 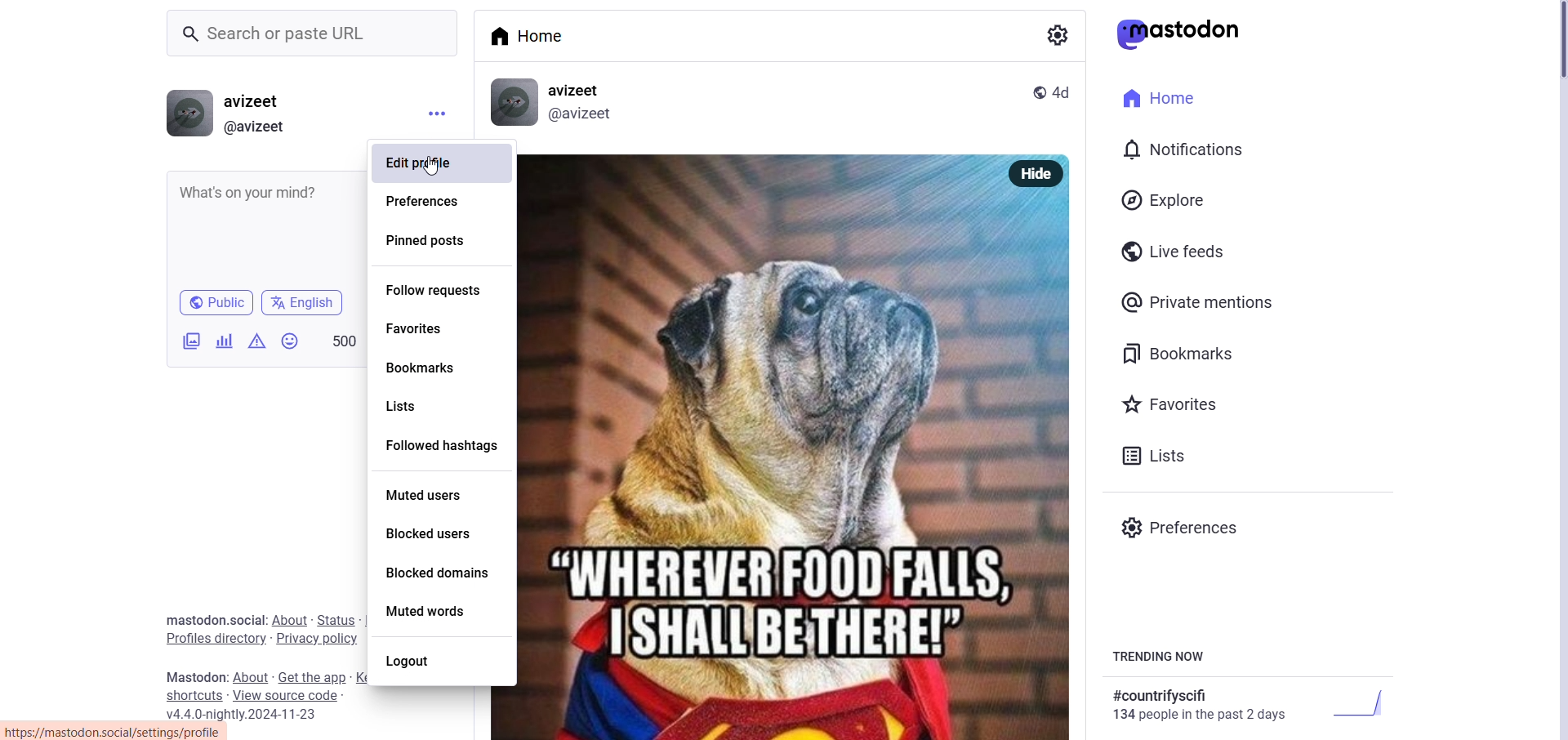 I want to click on live feed, so click(x=1178, y=251).